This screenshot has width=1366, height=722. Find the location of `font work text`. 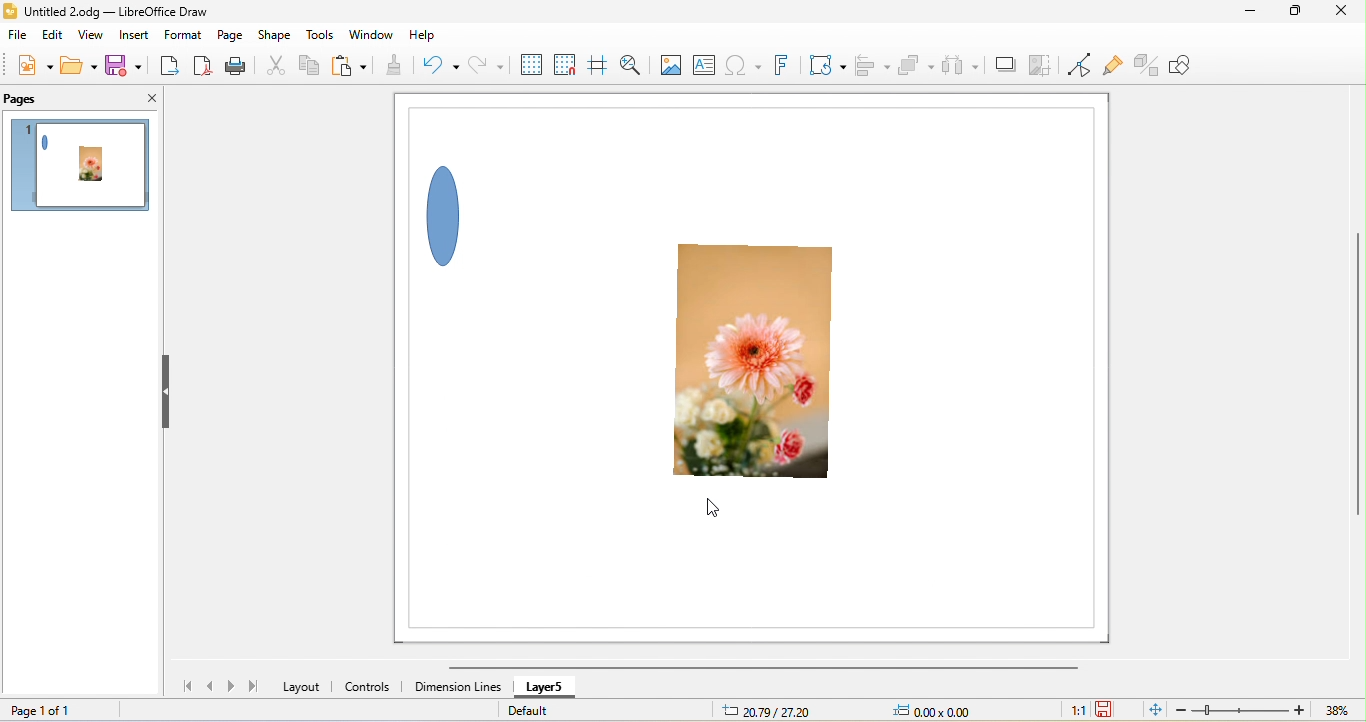

font work text is located at coordinates (775, 65).